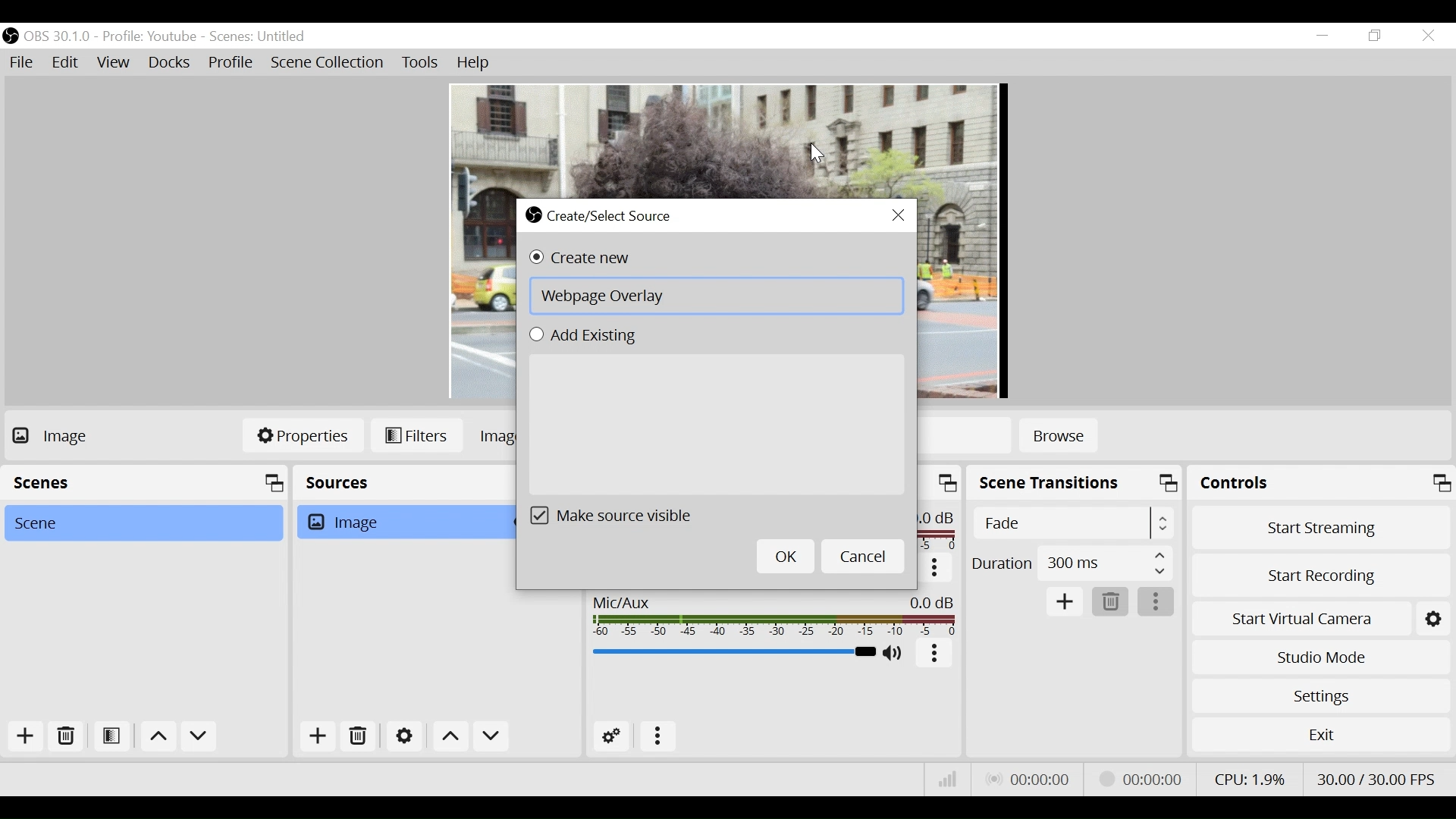 Image resolution: width=1456 pixels, height=819 pixels. What do you see at coordinates (1141, 779) in the screenshot?
I see `Recording Status` at bounding box center [1141, 779].